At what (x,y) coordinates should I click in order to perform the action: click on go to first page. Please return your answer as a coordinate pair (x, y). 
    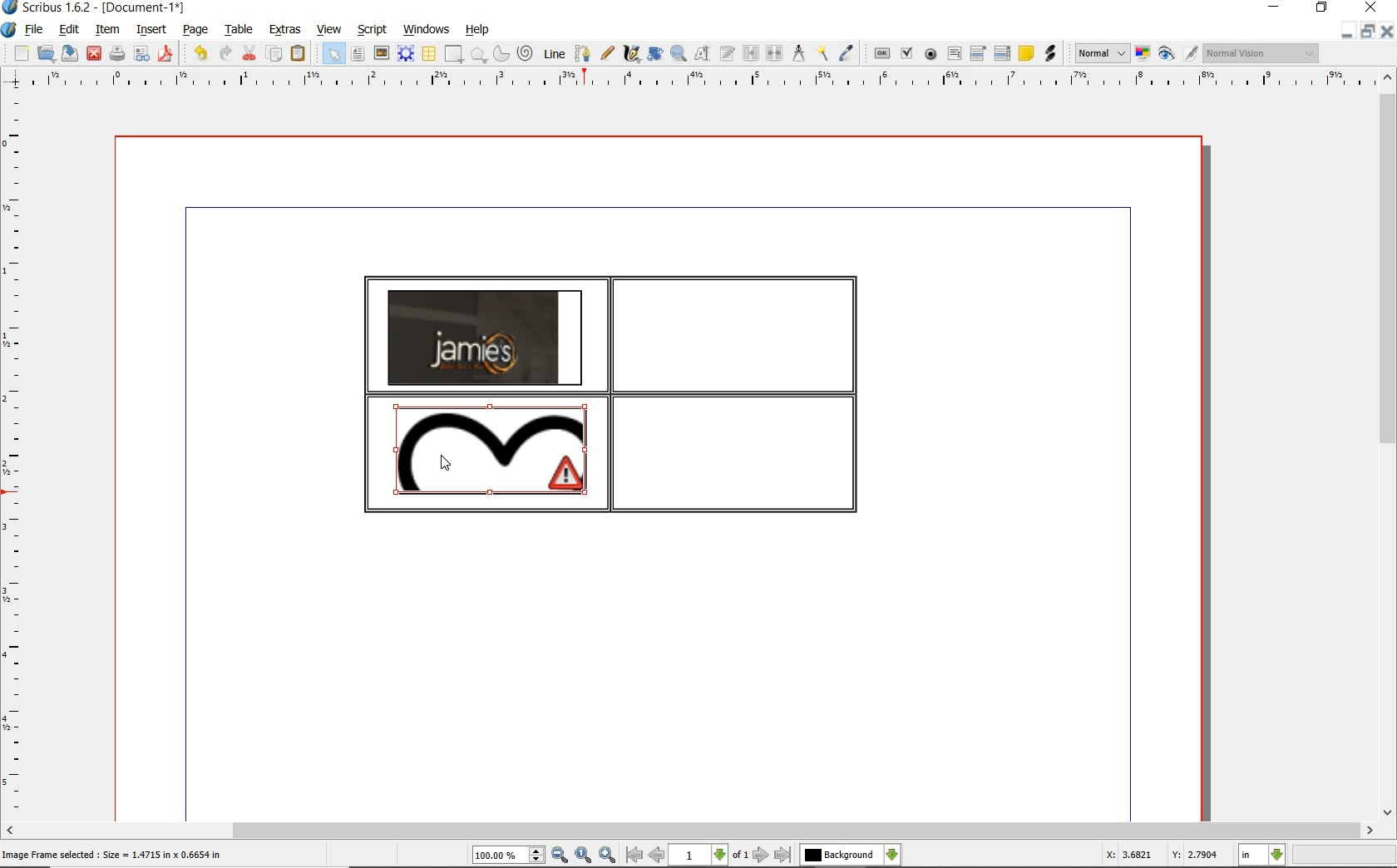
    Looking at the image, I should click on (634, 856).